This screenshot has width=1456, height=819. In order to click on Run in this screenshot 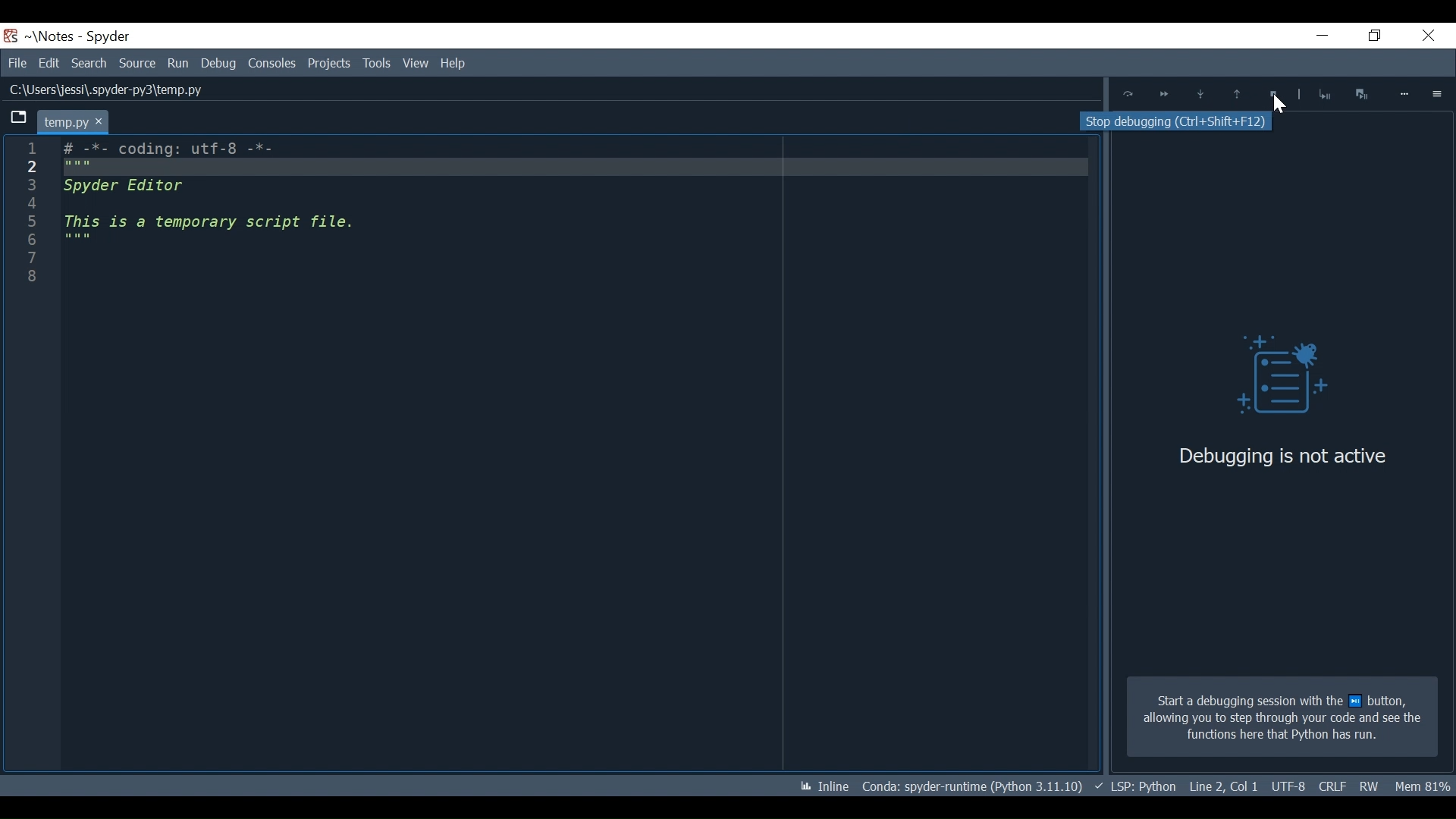, I will do `click(179, 63)`.